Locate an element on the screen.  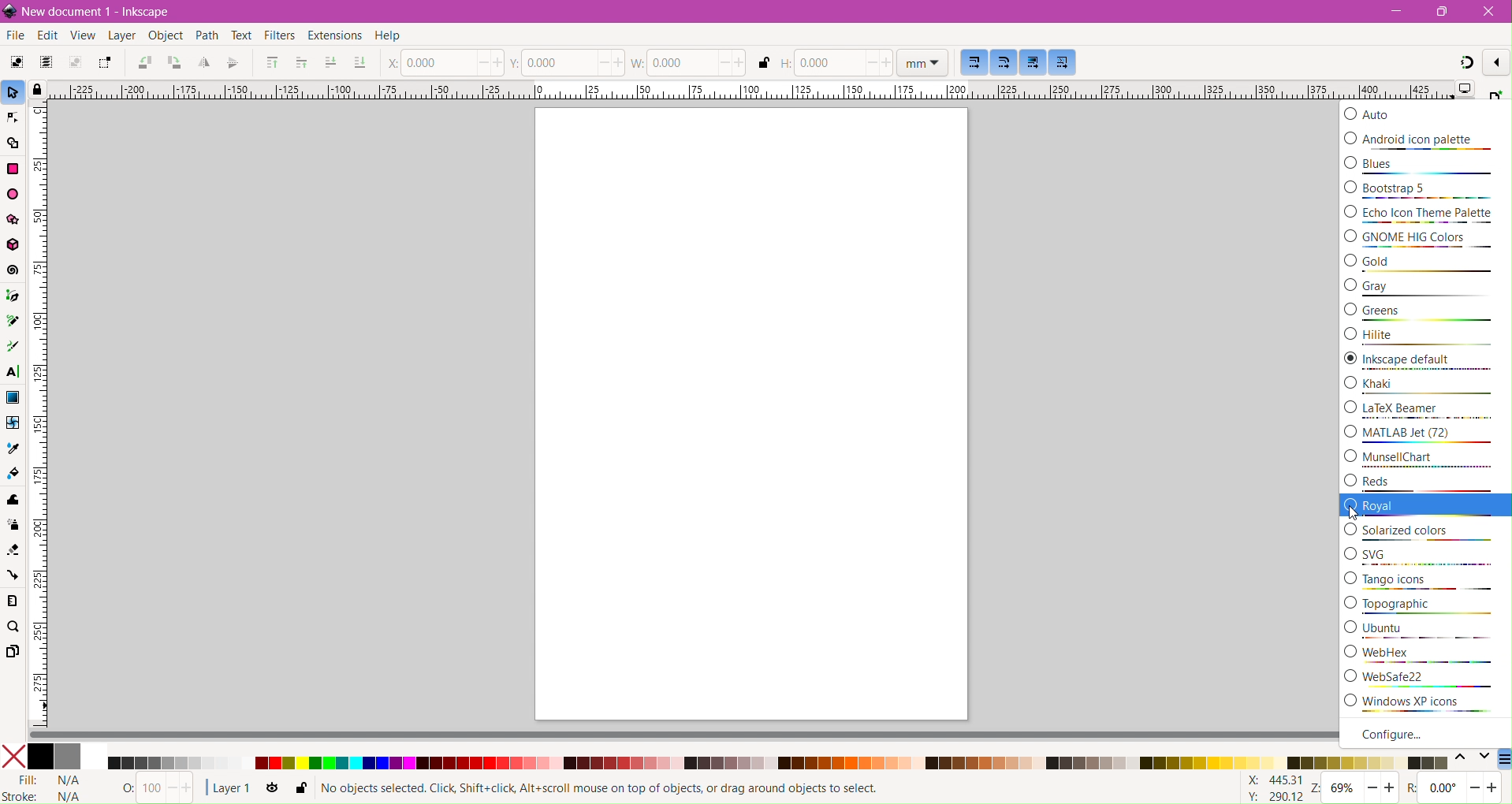
File is located at coordinates (13, 36).